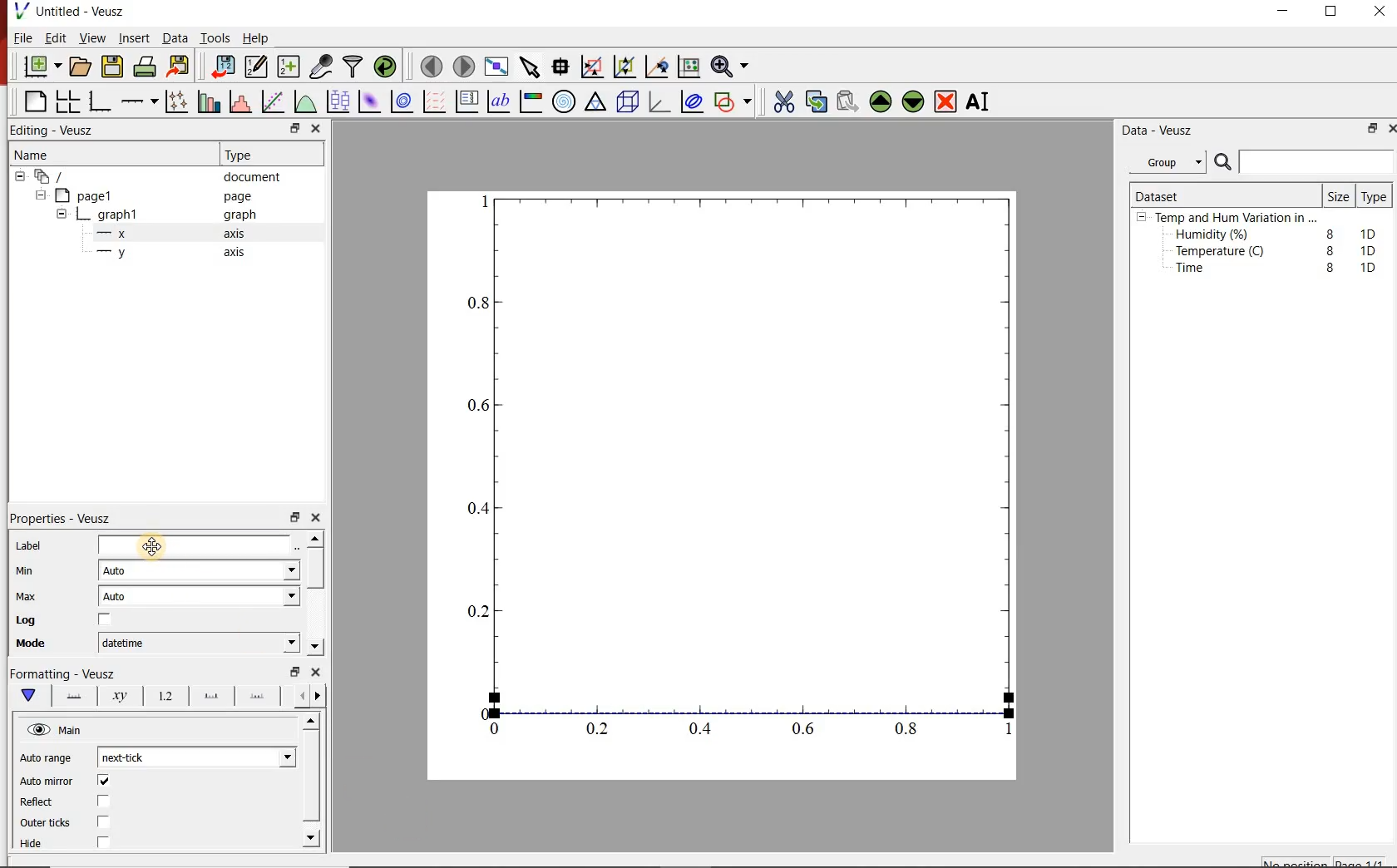 This screenshot has height=868, width=1397. Describe the element at coordinates (497, 67) in the screenshot. I see `view plot full screen` at that location.